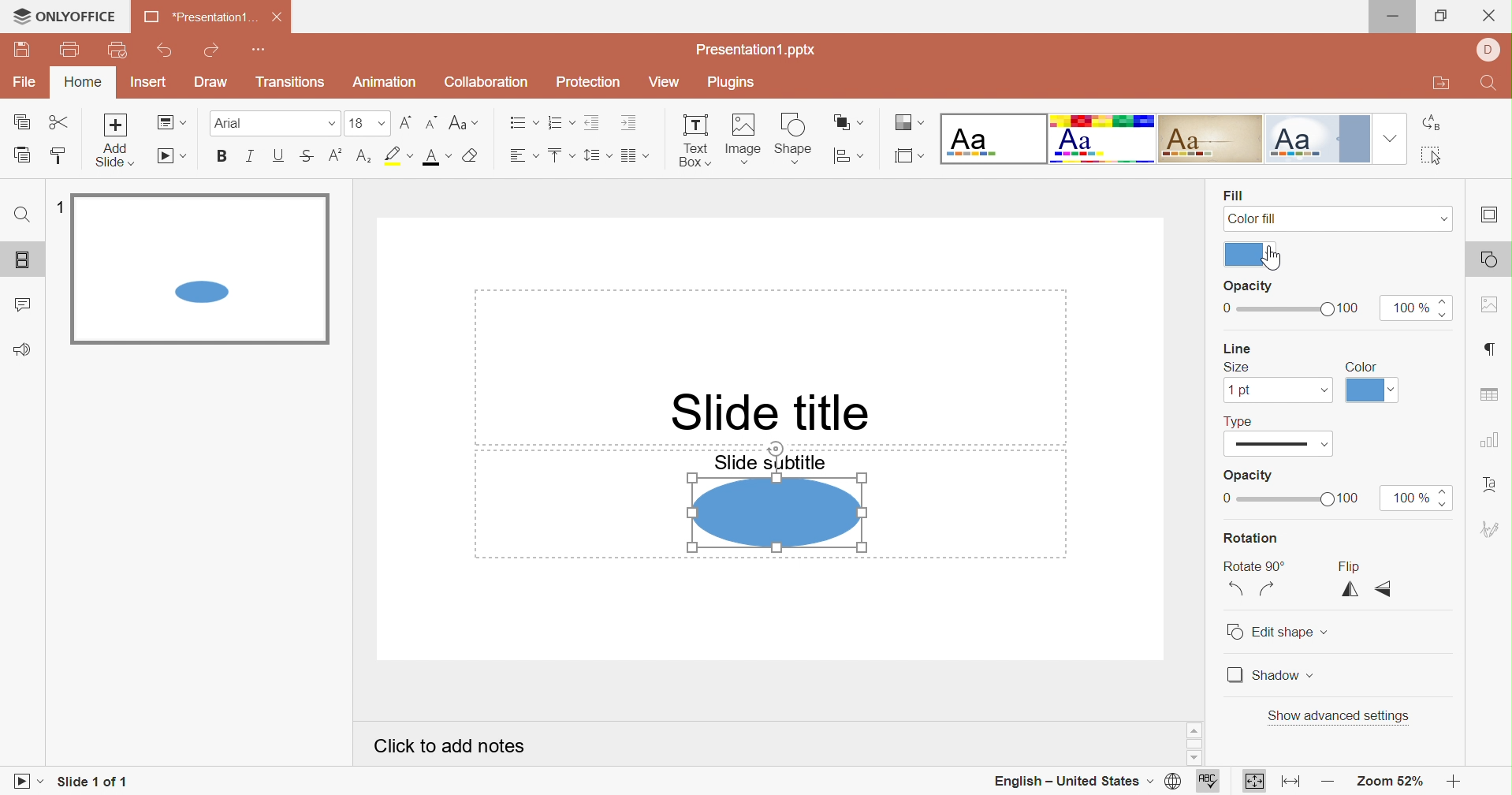  Describe the element at coordinates (24, 305) in the screenshot. I see `Comments` at that location.